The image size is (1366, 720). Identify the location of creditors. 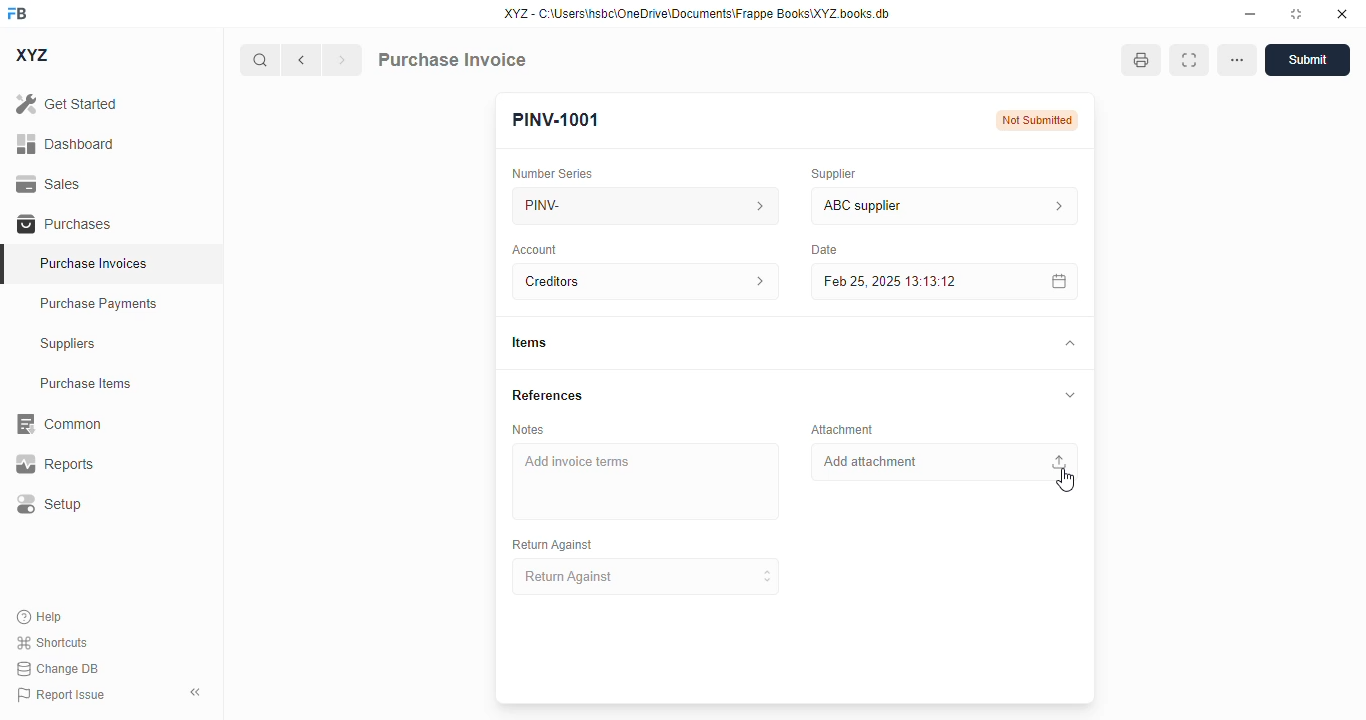
(617, 281).